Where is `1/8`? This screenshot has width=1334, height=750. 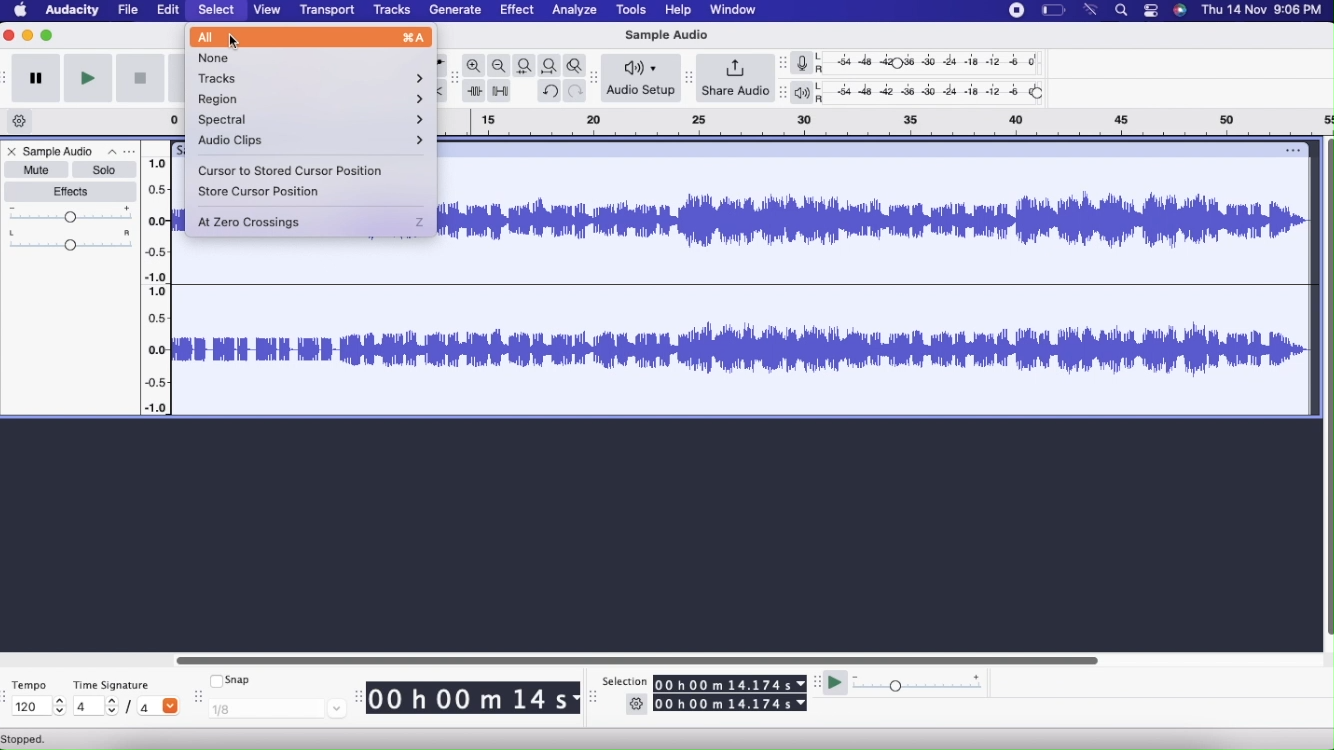
1/8 is located at coordinates (277, 712).